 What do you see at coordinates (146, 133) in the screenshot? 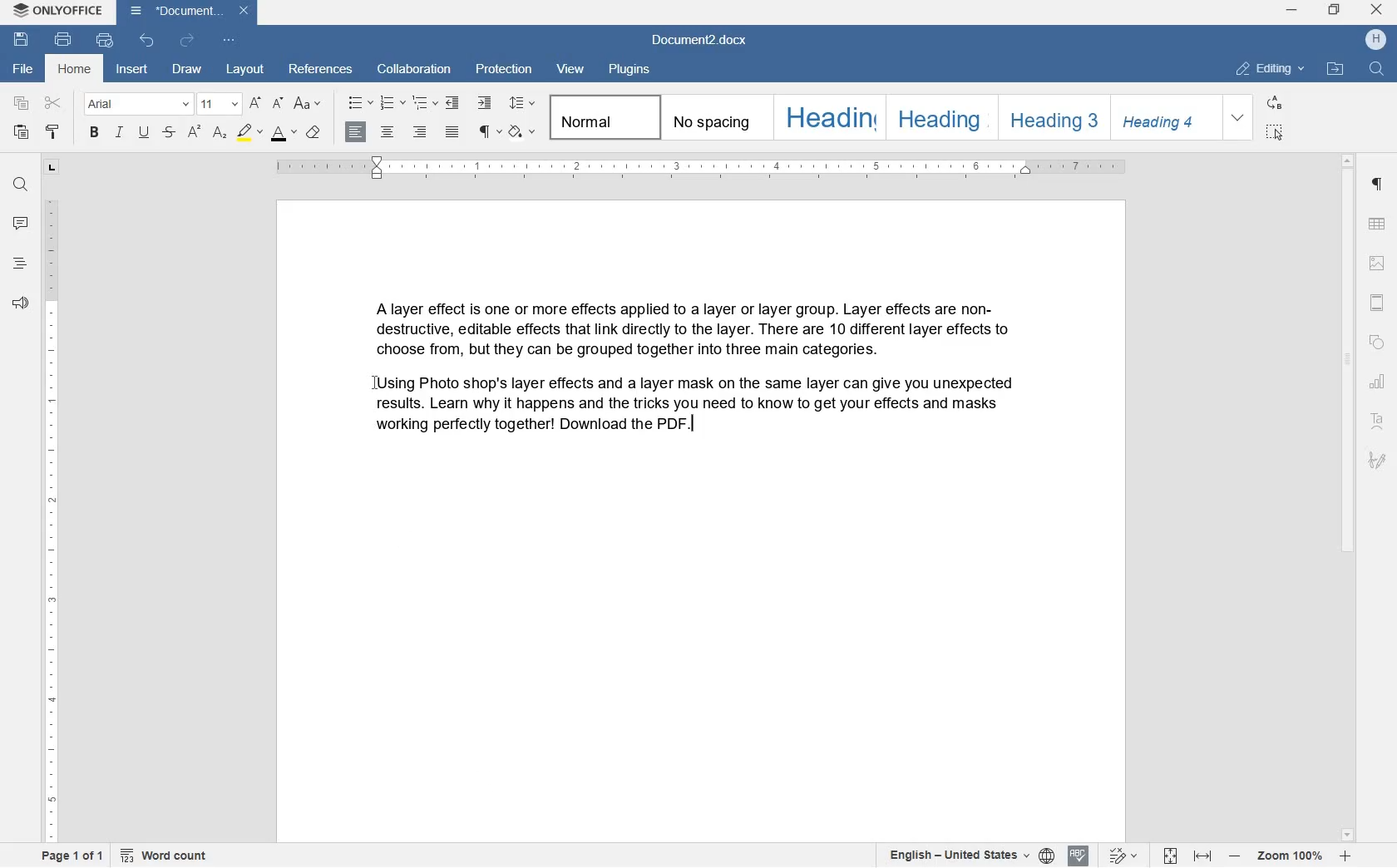
I see `UNDERLINE` at bounding box center [146, 133].